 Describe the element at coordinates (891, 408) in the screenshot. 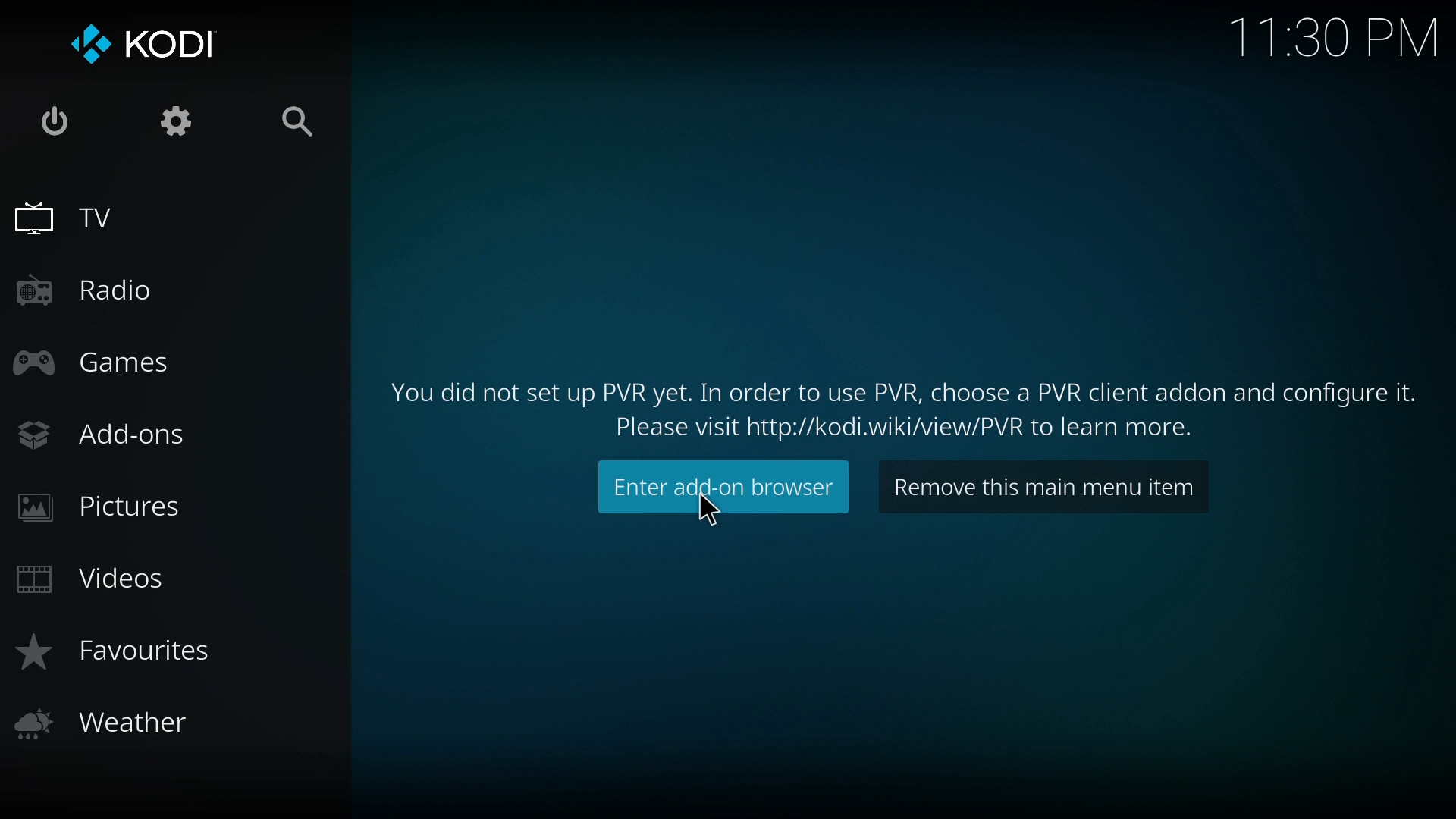

I see `You did not set up PVR yet. In order to use PVR, choose a PVR client addon and configure it.
Please visit http://kodi.wiki/view/PVR to learn more.` at that location.